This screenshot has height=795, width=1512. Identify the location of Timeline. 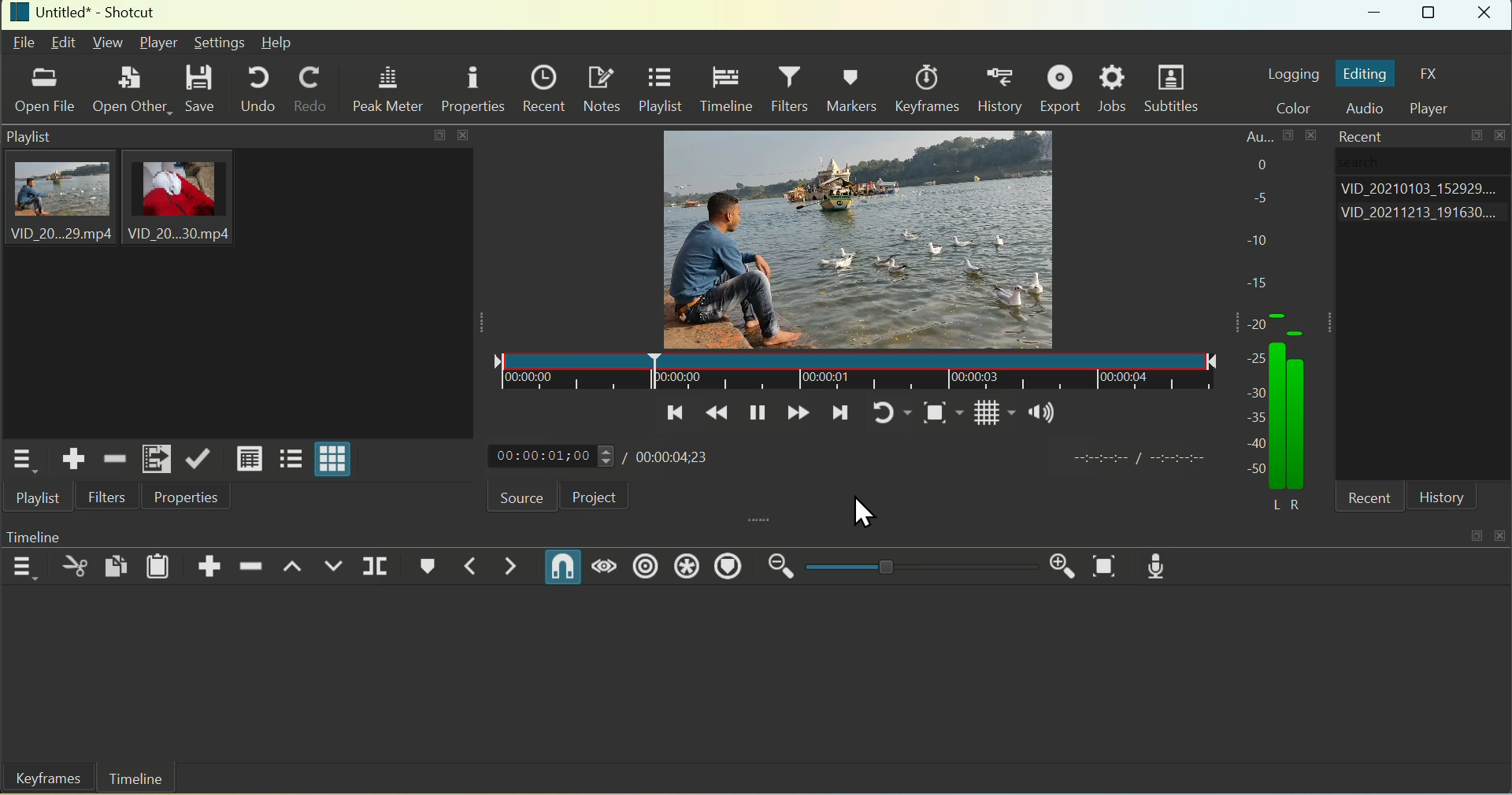
(57, 534).